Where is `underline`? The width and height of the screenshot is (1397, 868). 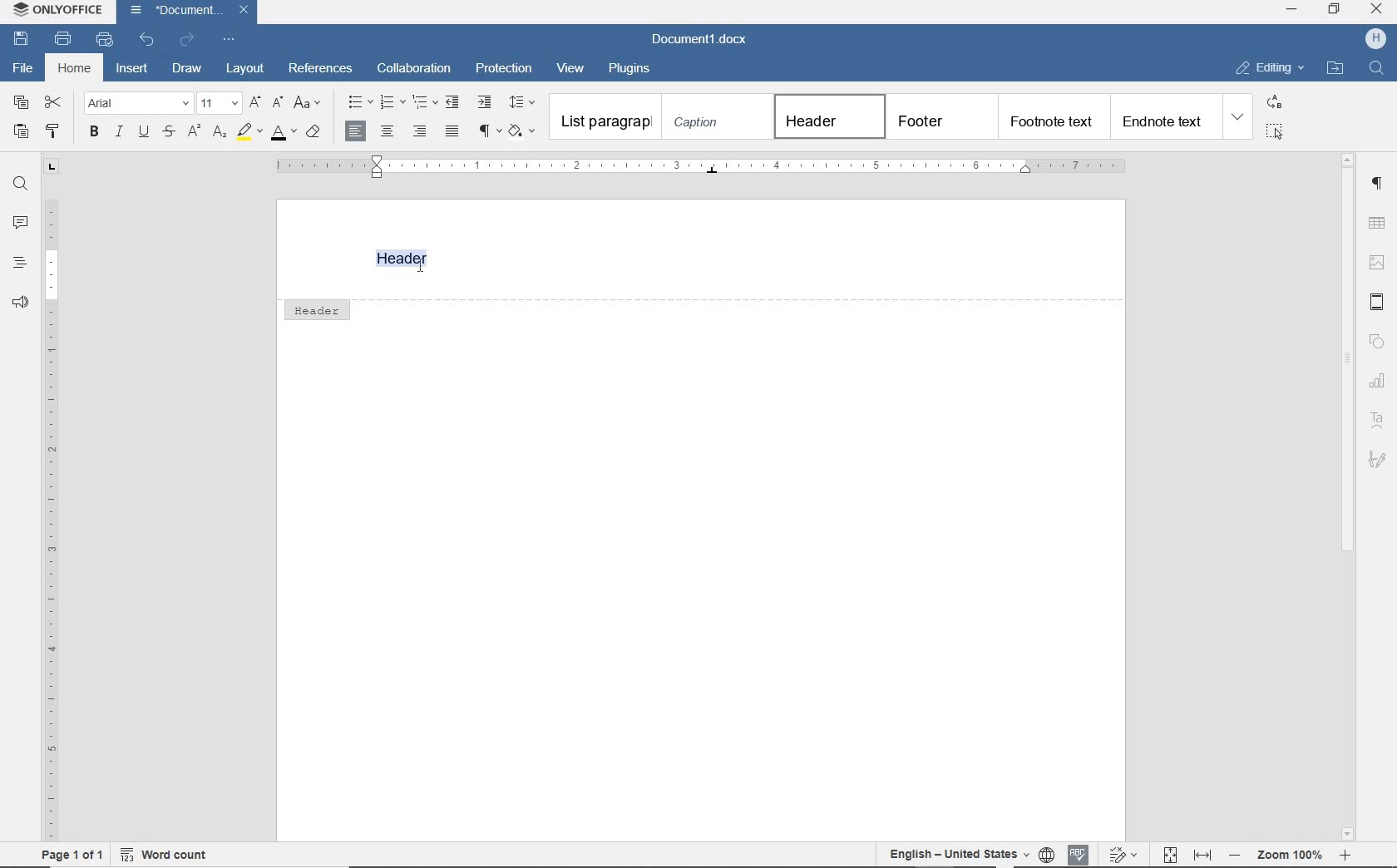 underline is located at coordinates (144, 133).